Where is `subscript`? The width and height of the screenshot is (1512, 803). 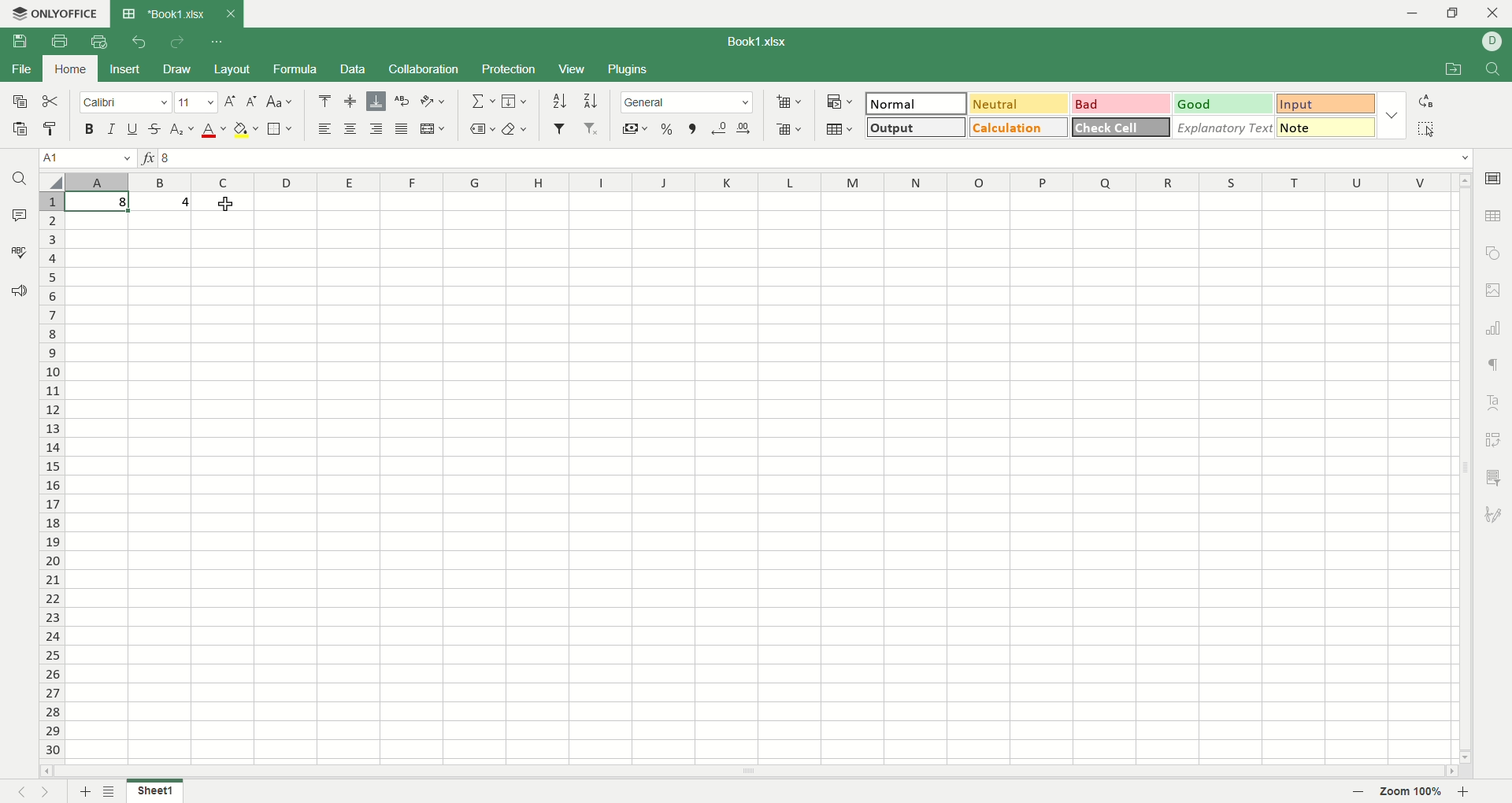
subscript is located at coordinates (183, 130).